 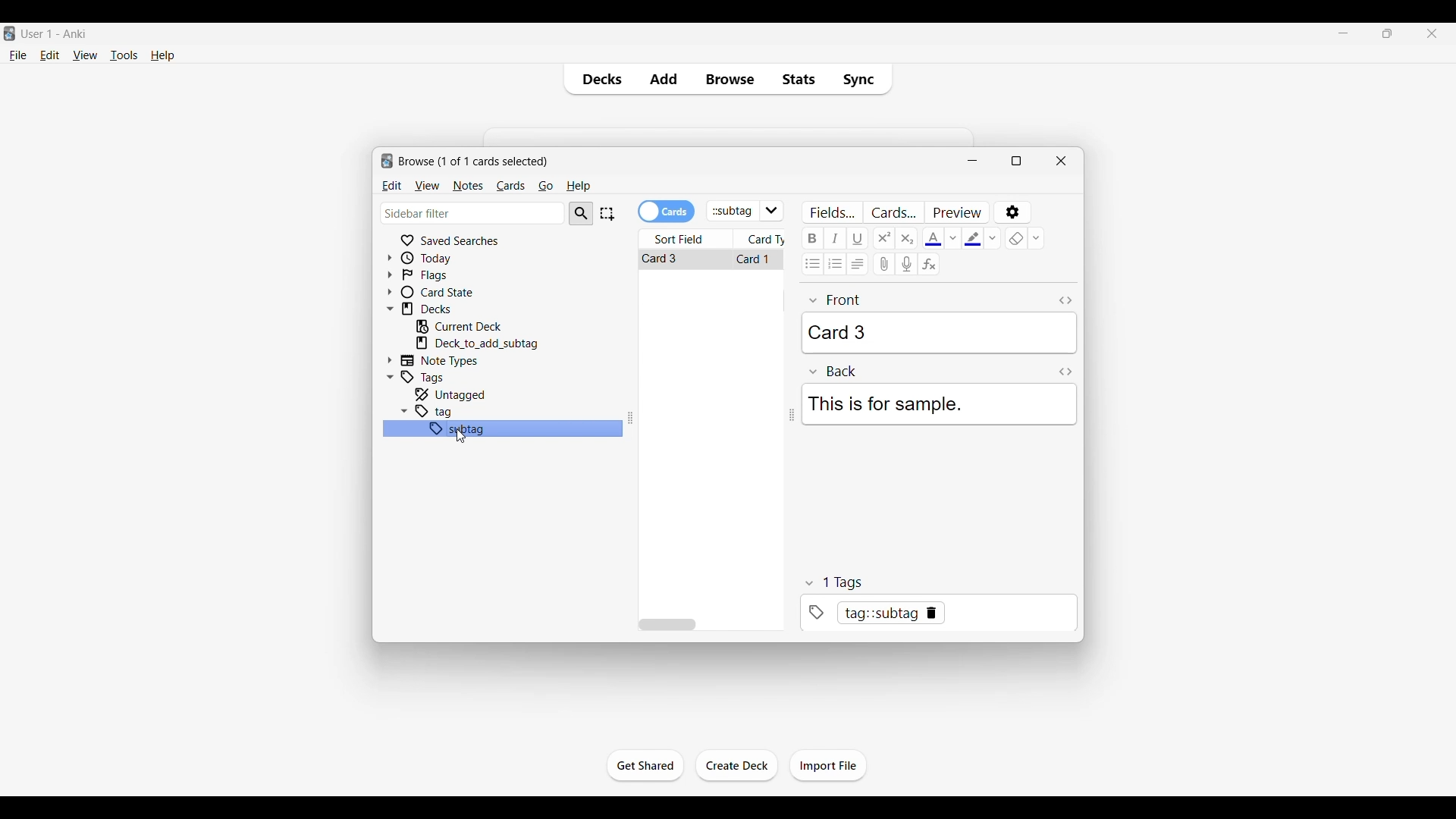 What do you see at coordinates (385, 162) in the screenshot?
I see `logo` at bounding box center [385, 162].